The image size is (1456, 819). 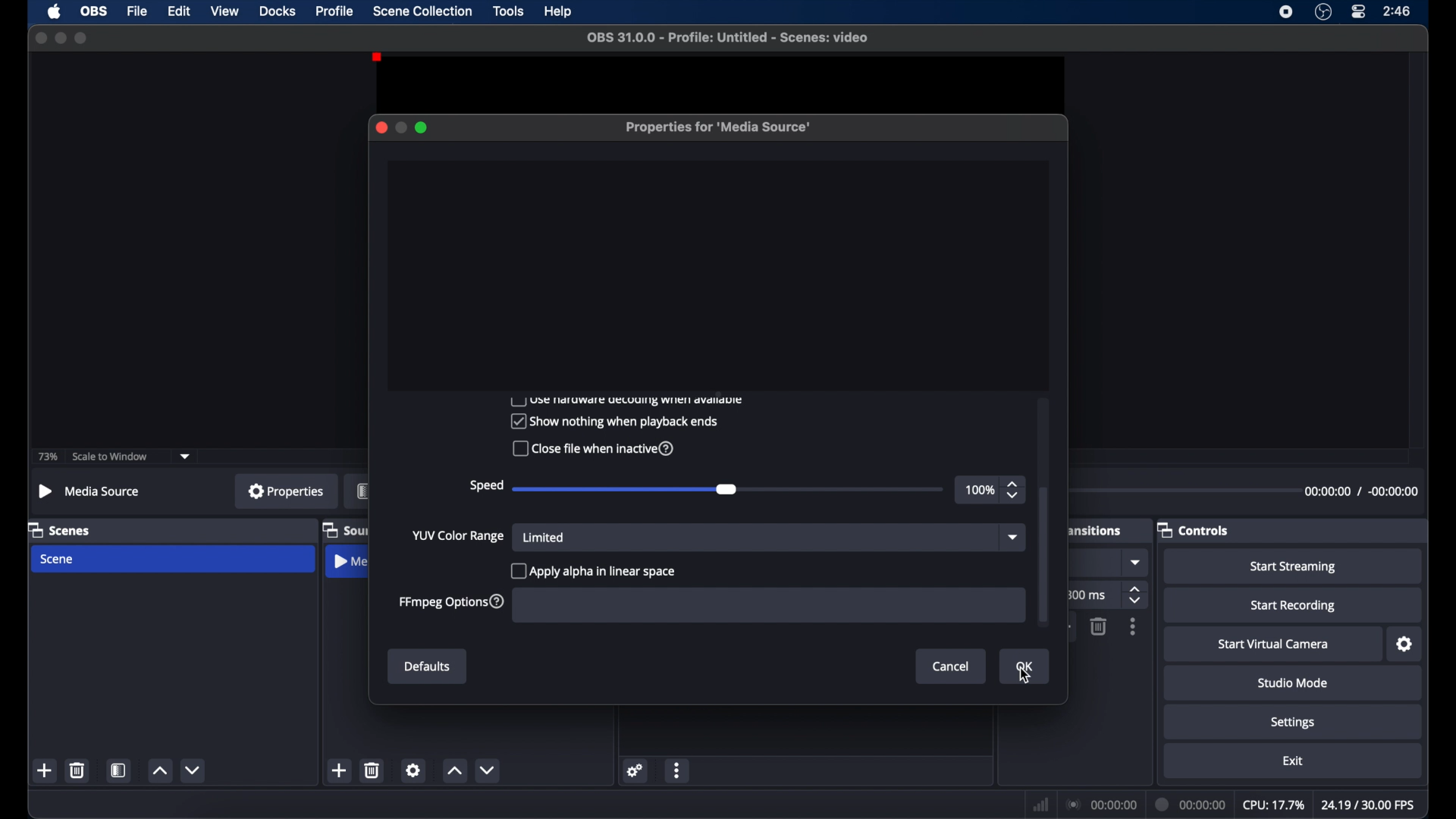 What do you see at coordinates (350, 563) in the screenshot?
I see `media source` at bounding box center [350, 563].